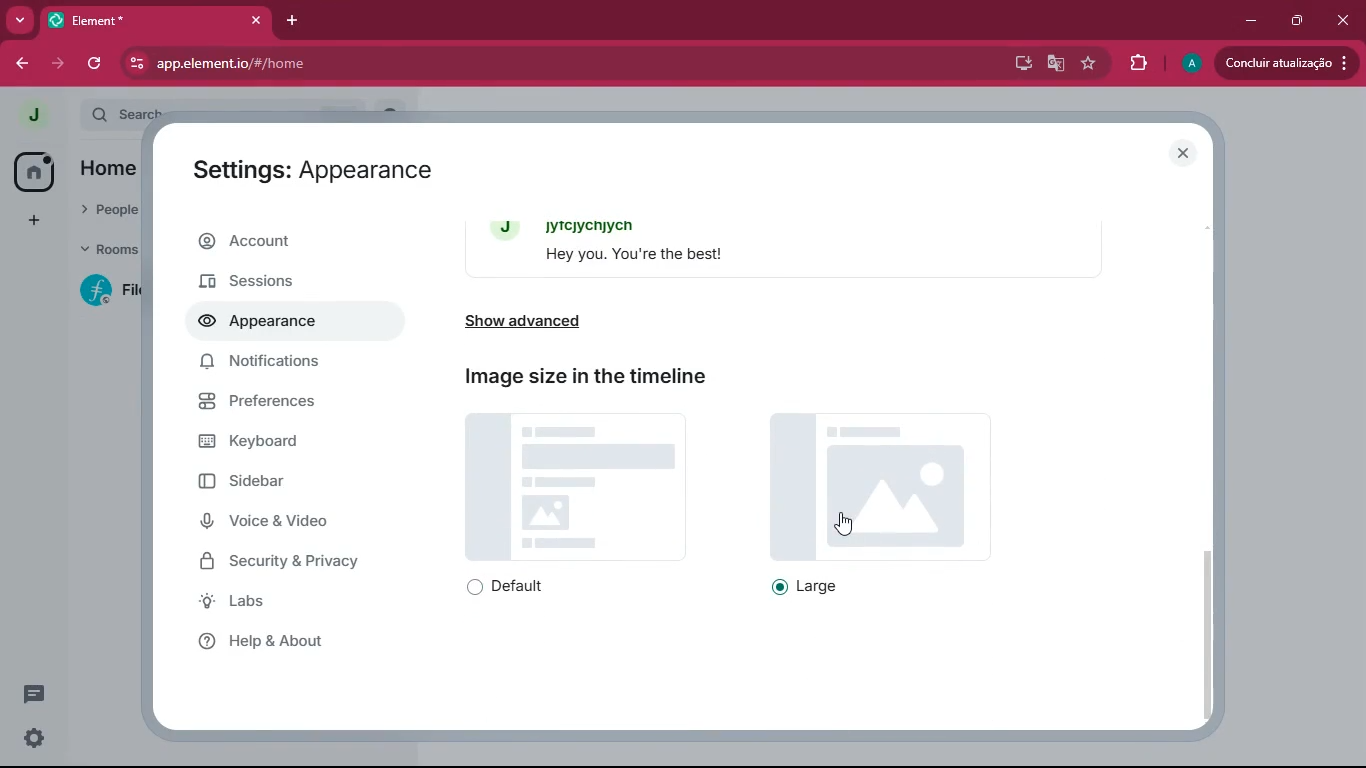  I want to click on profile, so click(1188, 63).